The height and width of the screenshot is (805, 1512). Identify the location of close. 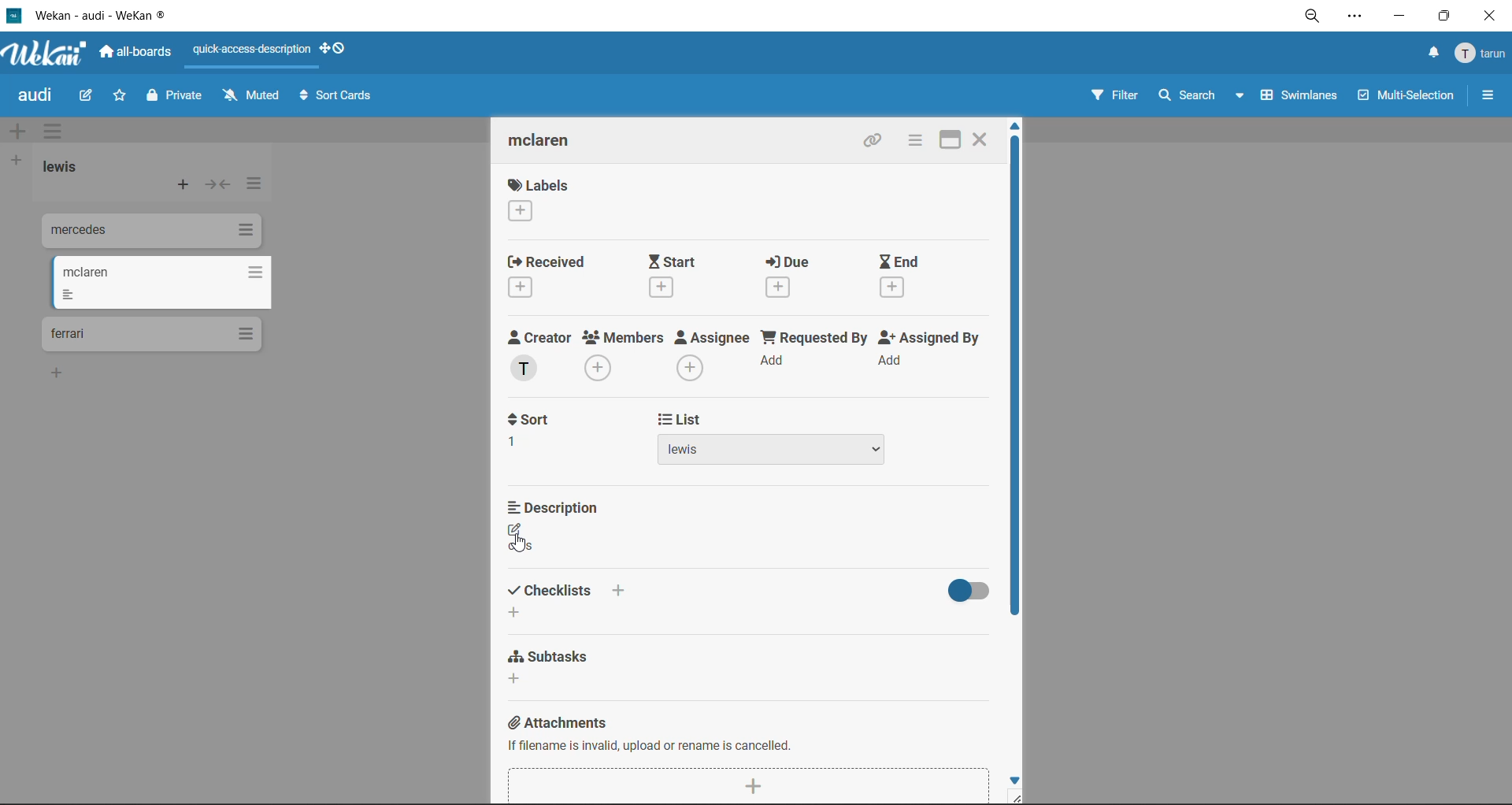
(981, 138).